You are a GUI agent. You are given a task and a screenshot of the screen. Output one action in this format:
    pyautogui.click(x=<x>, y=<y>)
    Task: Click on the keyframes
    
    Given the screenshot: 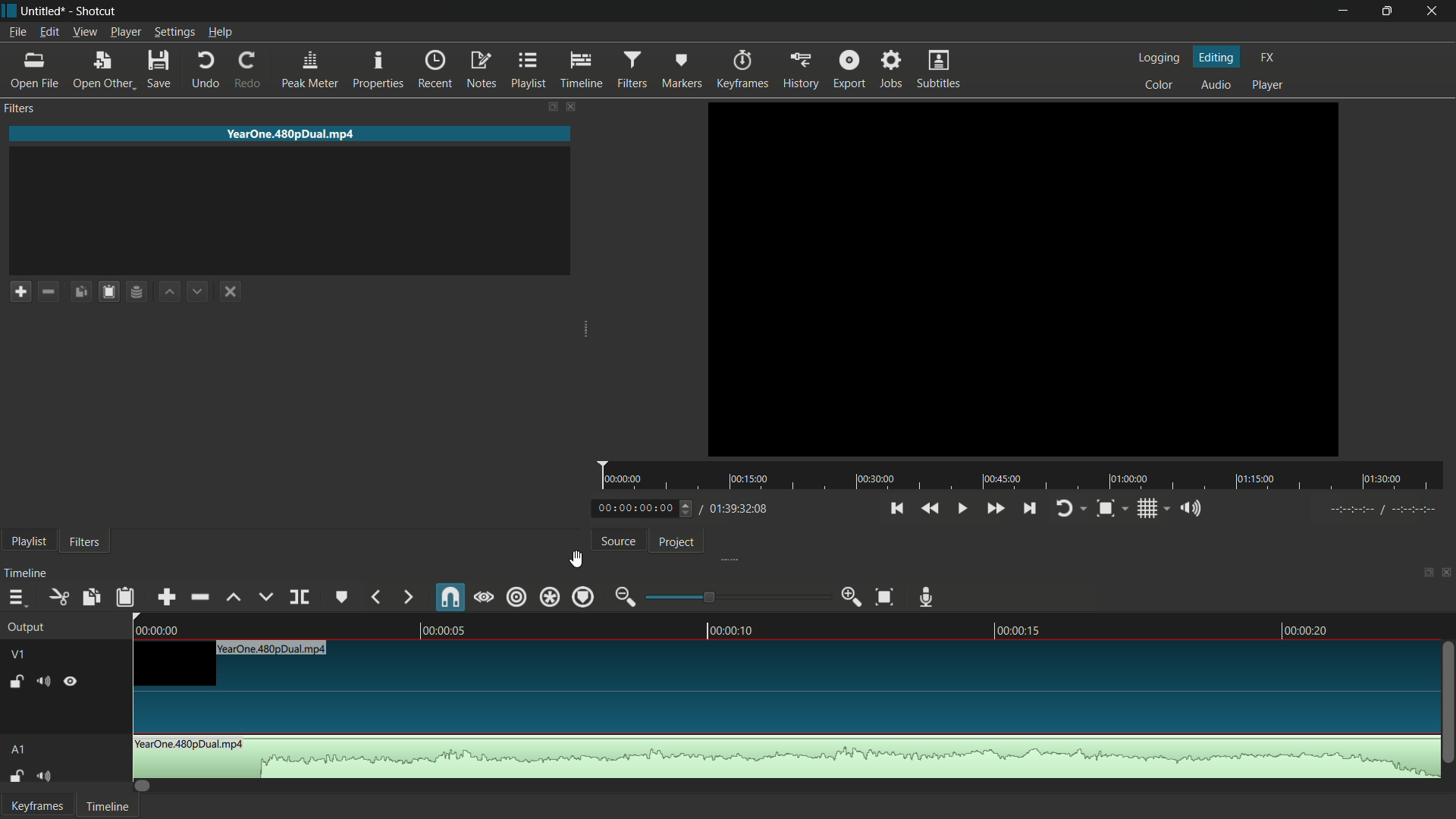 What is the action you would take?
    pyautogui.click(x=36, y=806)
    